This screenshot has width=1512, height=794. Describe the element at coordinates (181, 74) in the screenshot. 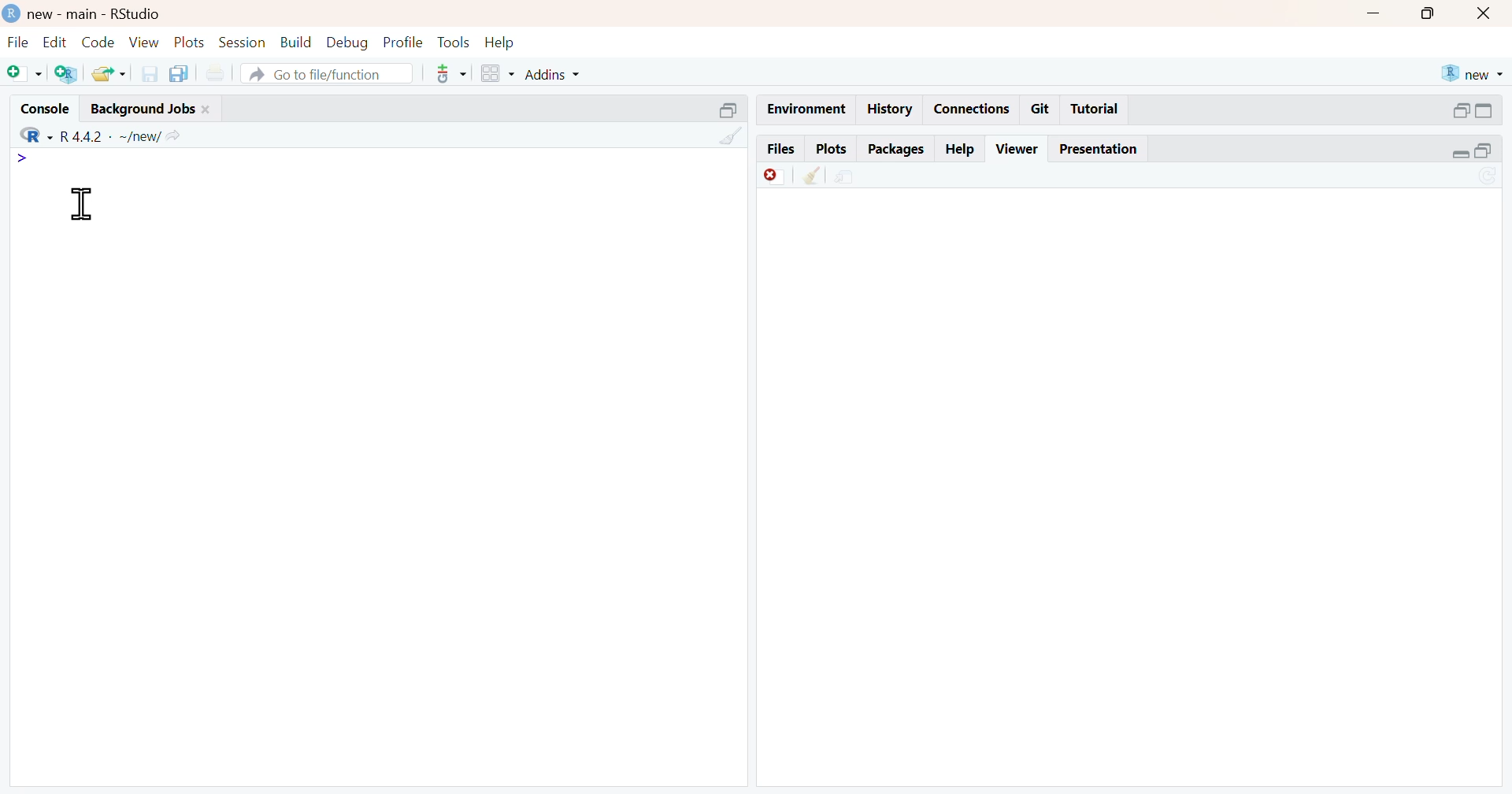

I see `save all open documents` at that location.